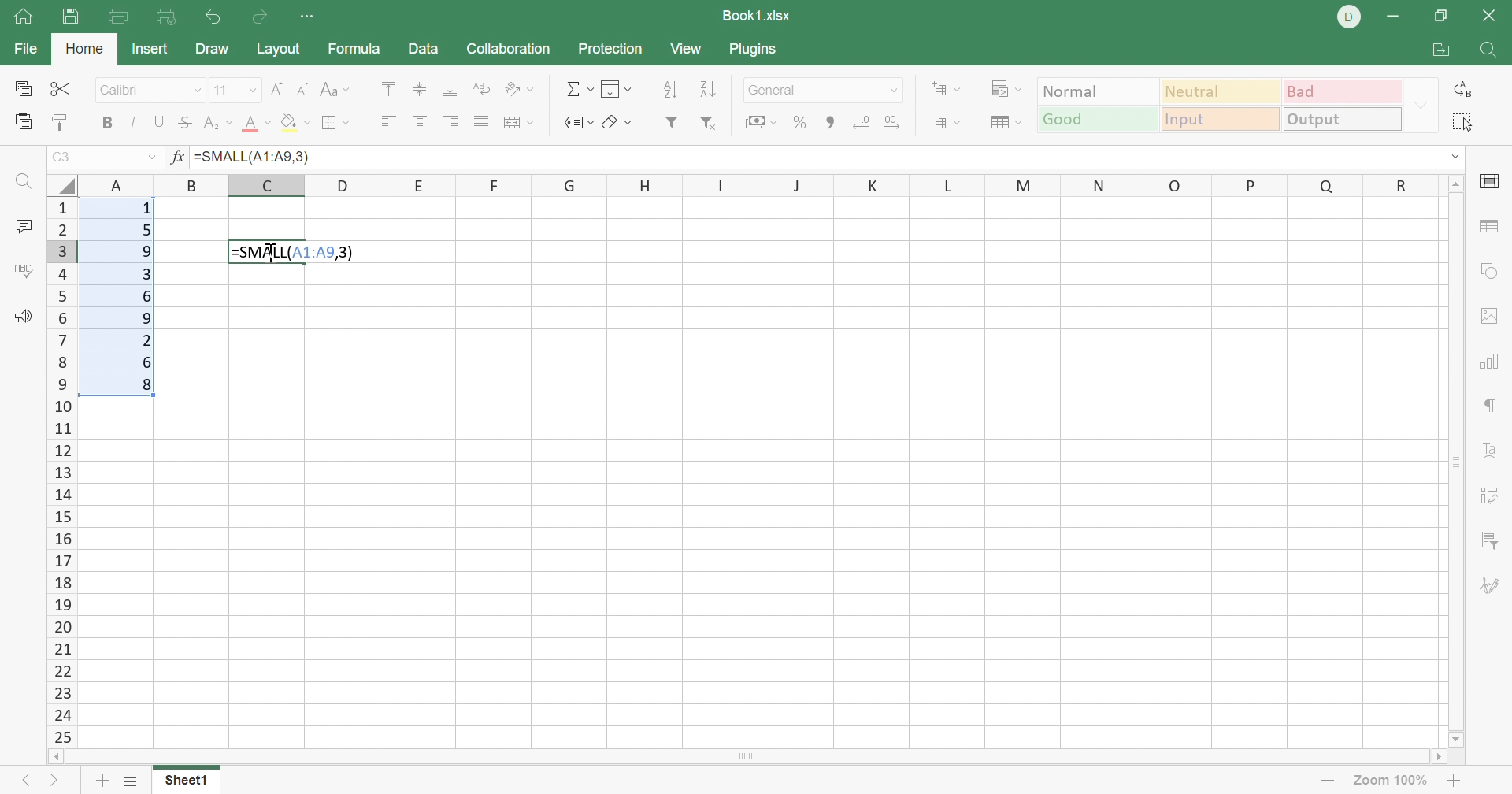 The height and width of the screenshot is (794, 1512). What do you see at coordinates (154, 155) in the screenshot?
I see `Drop down` at bounding box center [154, 155].